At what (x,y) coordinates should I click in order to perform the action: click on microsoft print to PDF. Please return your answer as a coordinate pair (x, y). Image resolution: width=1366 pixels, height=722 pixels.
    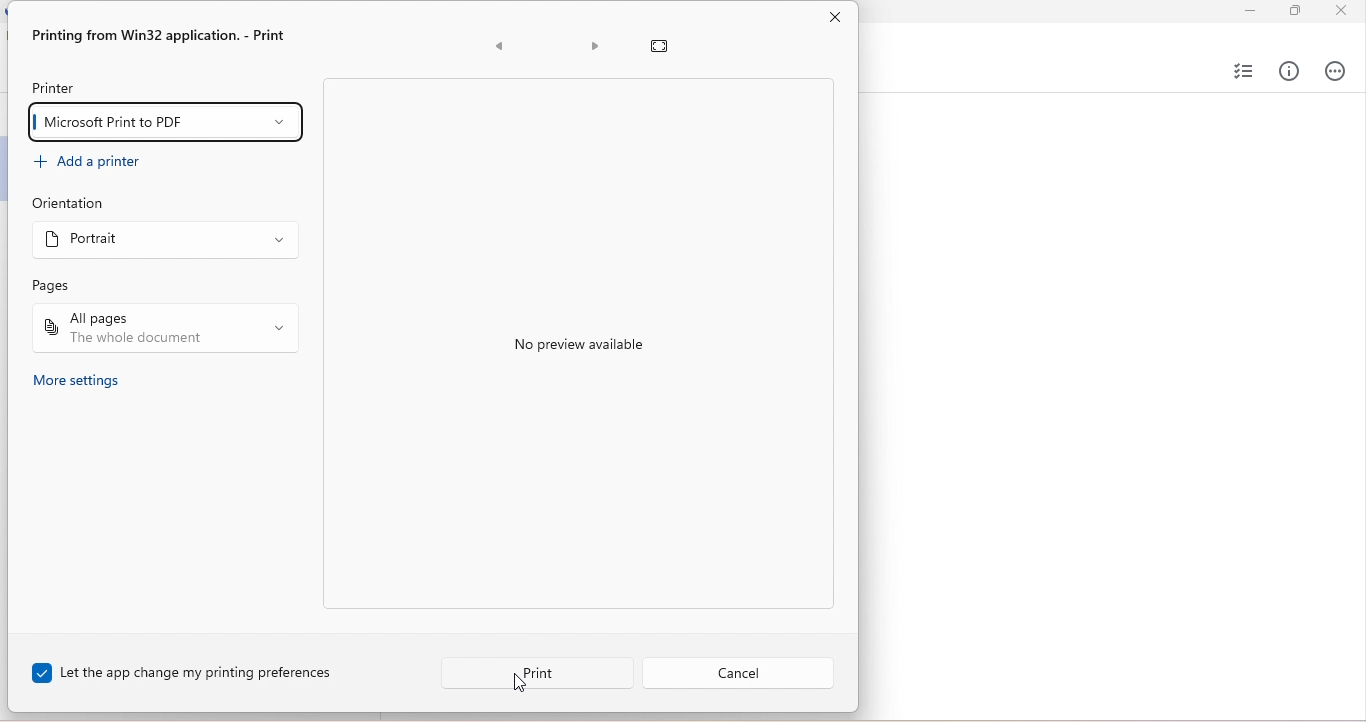
    Looking at the image, I should click on (166, 122).